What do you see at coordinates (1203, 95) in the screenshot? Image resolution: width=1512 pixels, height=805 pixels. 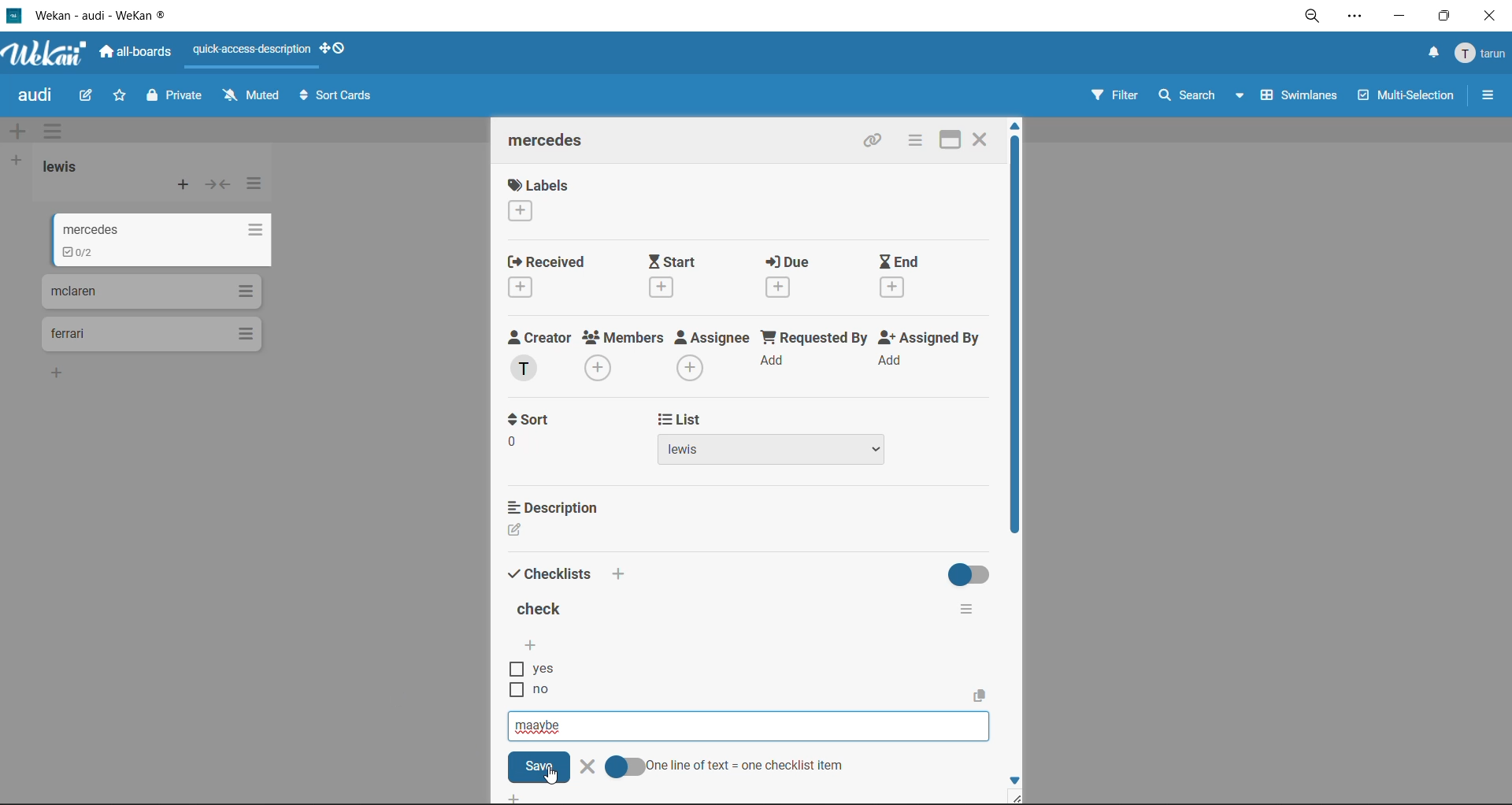 I see `search` at bounding box center [1203, 95].